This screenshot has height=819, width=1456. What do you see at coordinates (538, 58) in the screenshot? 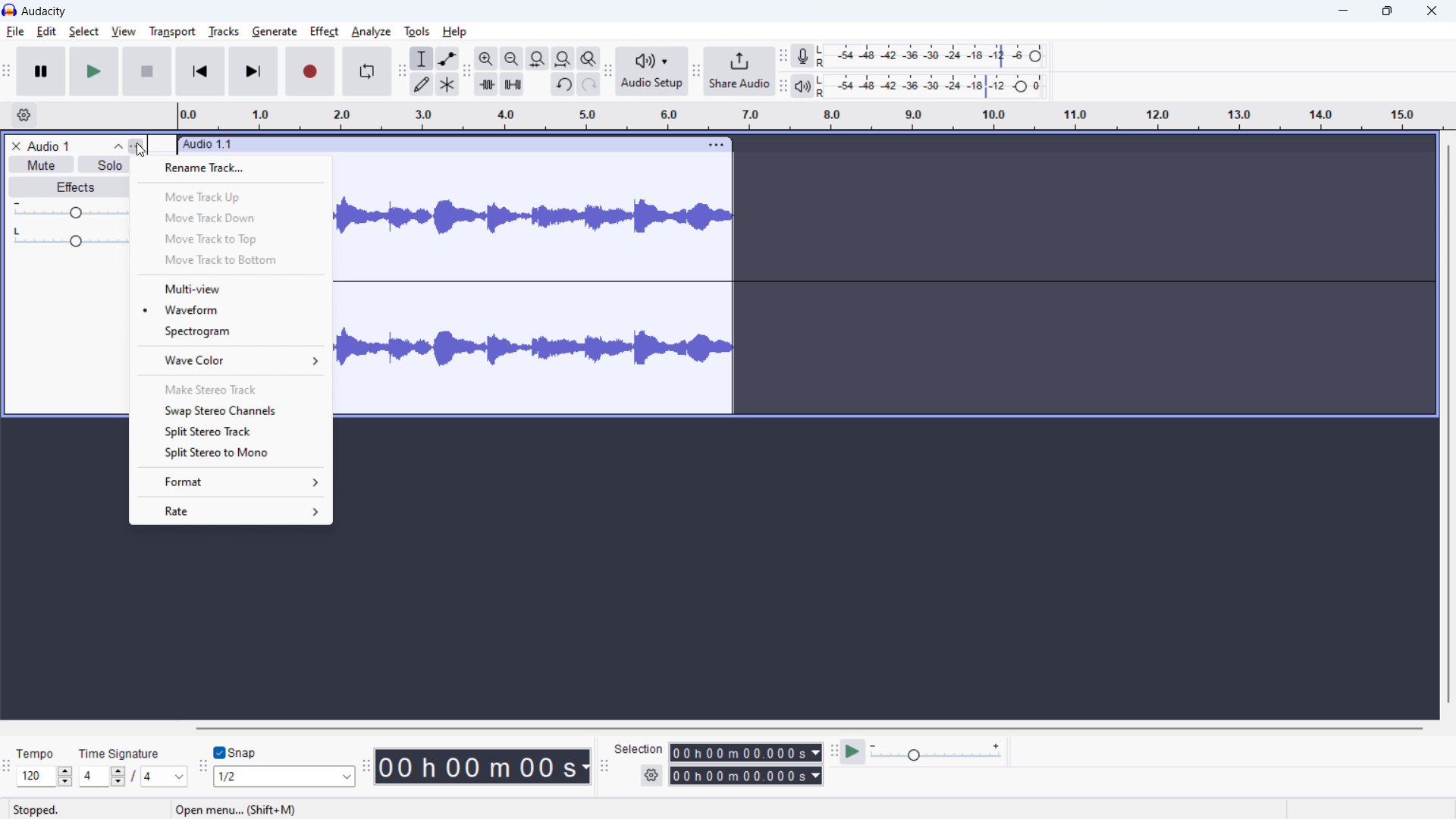
I see `fit selection to width` at bounding box center [538, 58].